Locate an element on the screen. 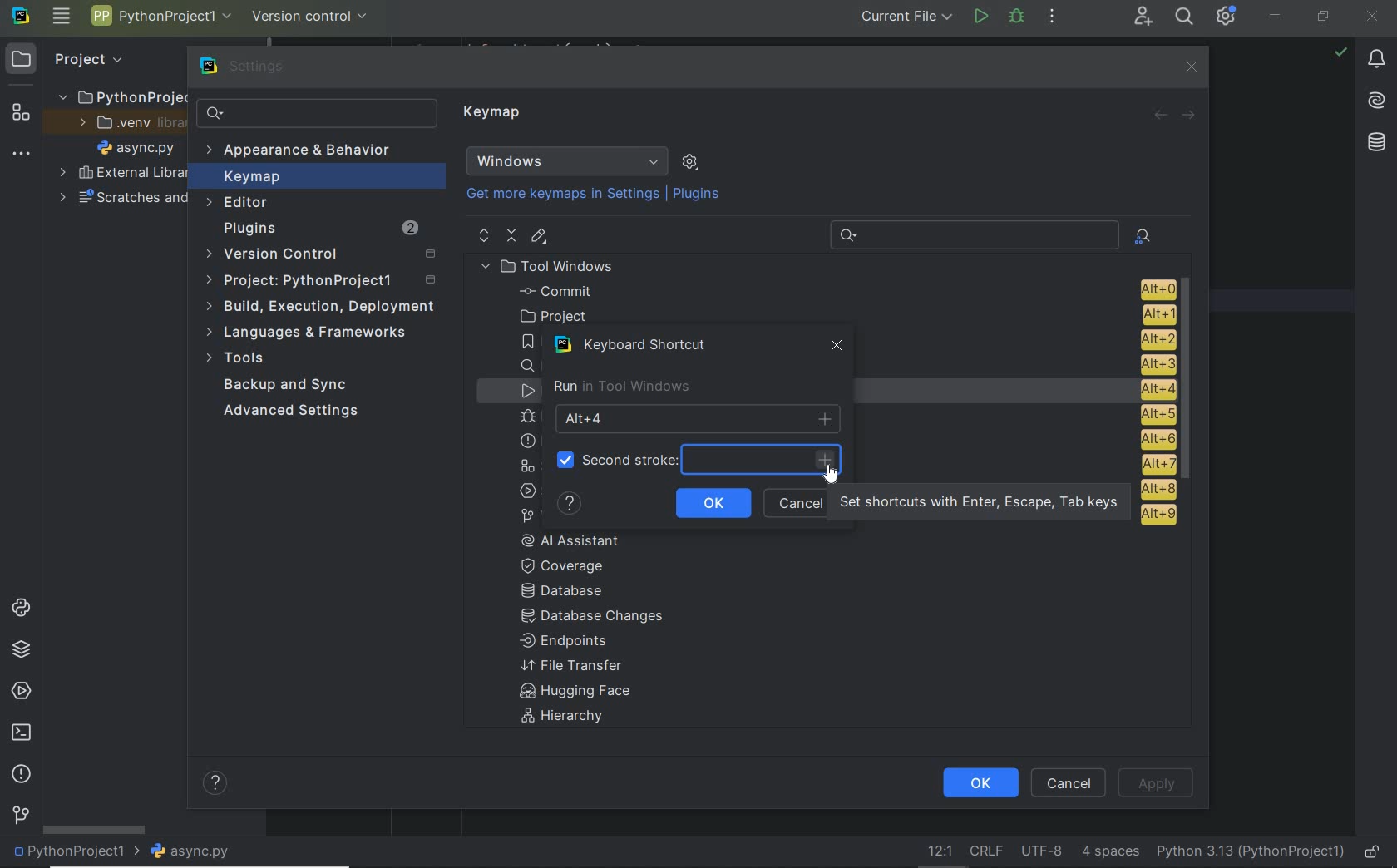 The height and width of the screenshot is (868, 1397). main menu is located at coordinates (61, 17).